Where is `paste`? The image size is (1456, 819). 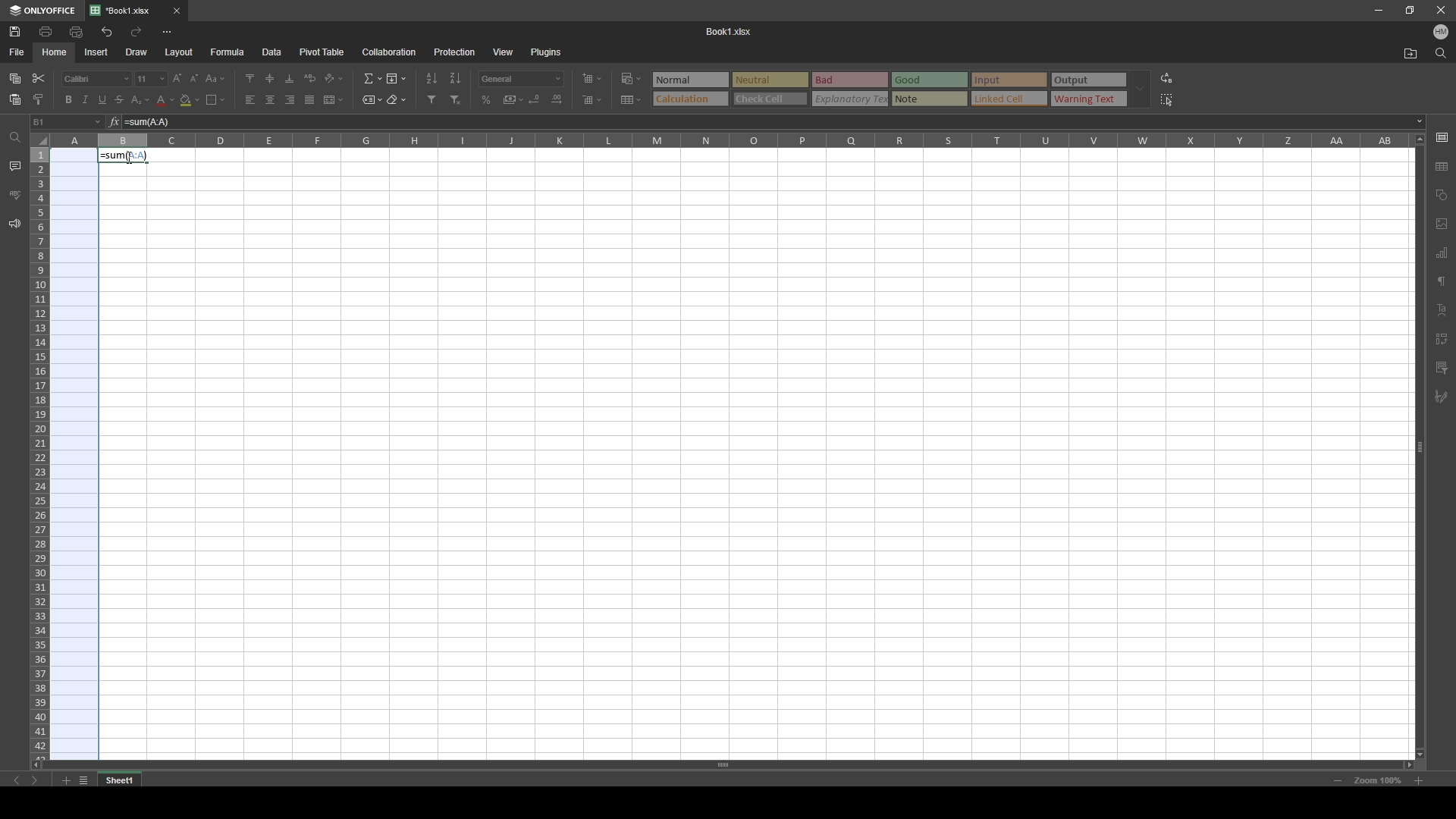
paste is located at coordinates (16, 100).